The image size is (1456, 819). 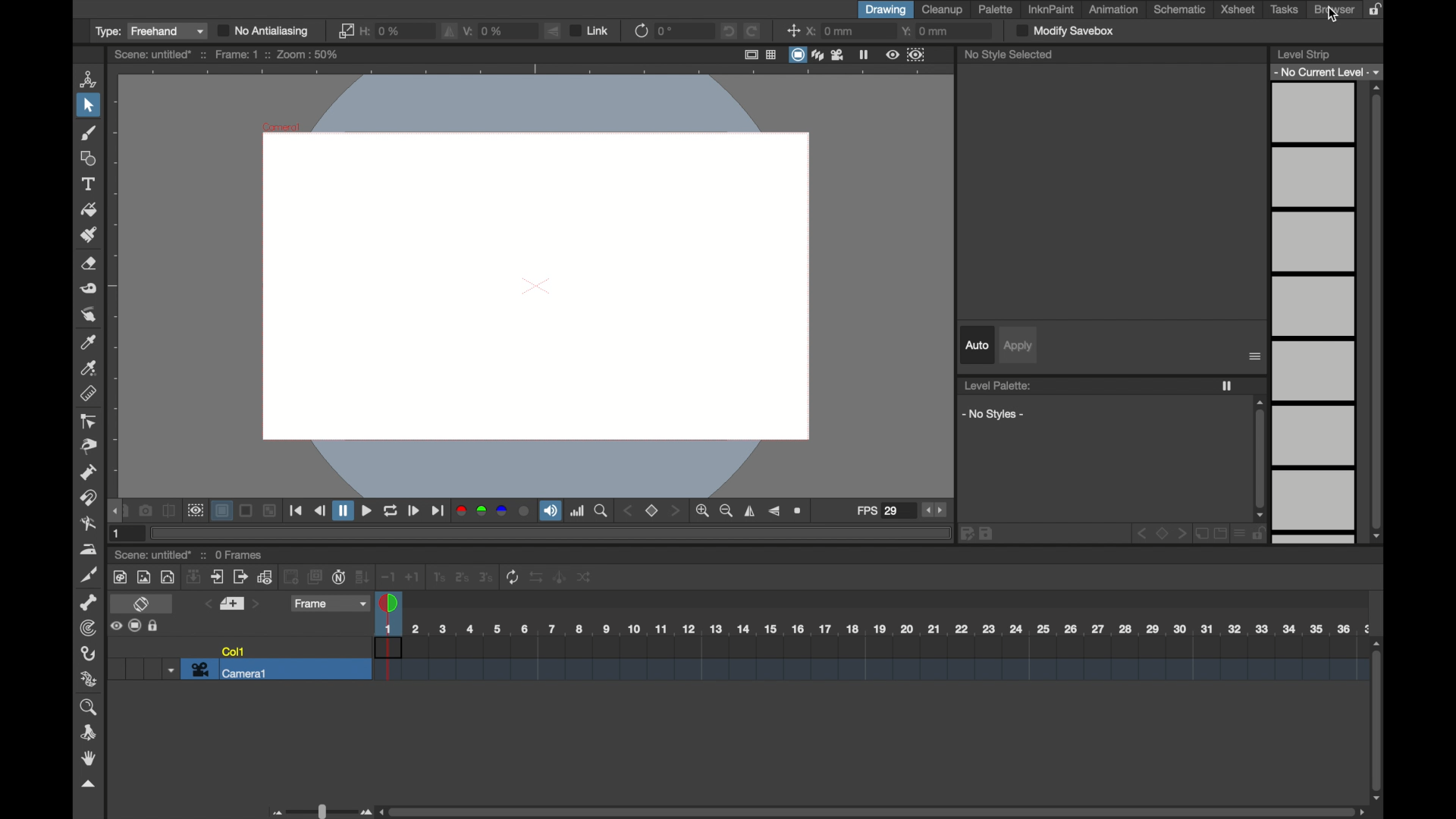 I want to click on pinch tool, so click(x=90, y=447).